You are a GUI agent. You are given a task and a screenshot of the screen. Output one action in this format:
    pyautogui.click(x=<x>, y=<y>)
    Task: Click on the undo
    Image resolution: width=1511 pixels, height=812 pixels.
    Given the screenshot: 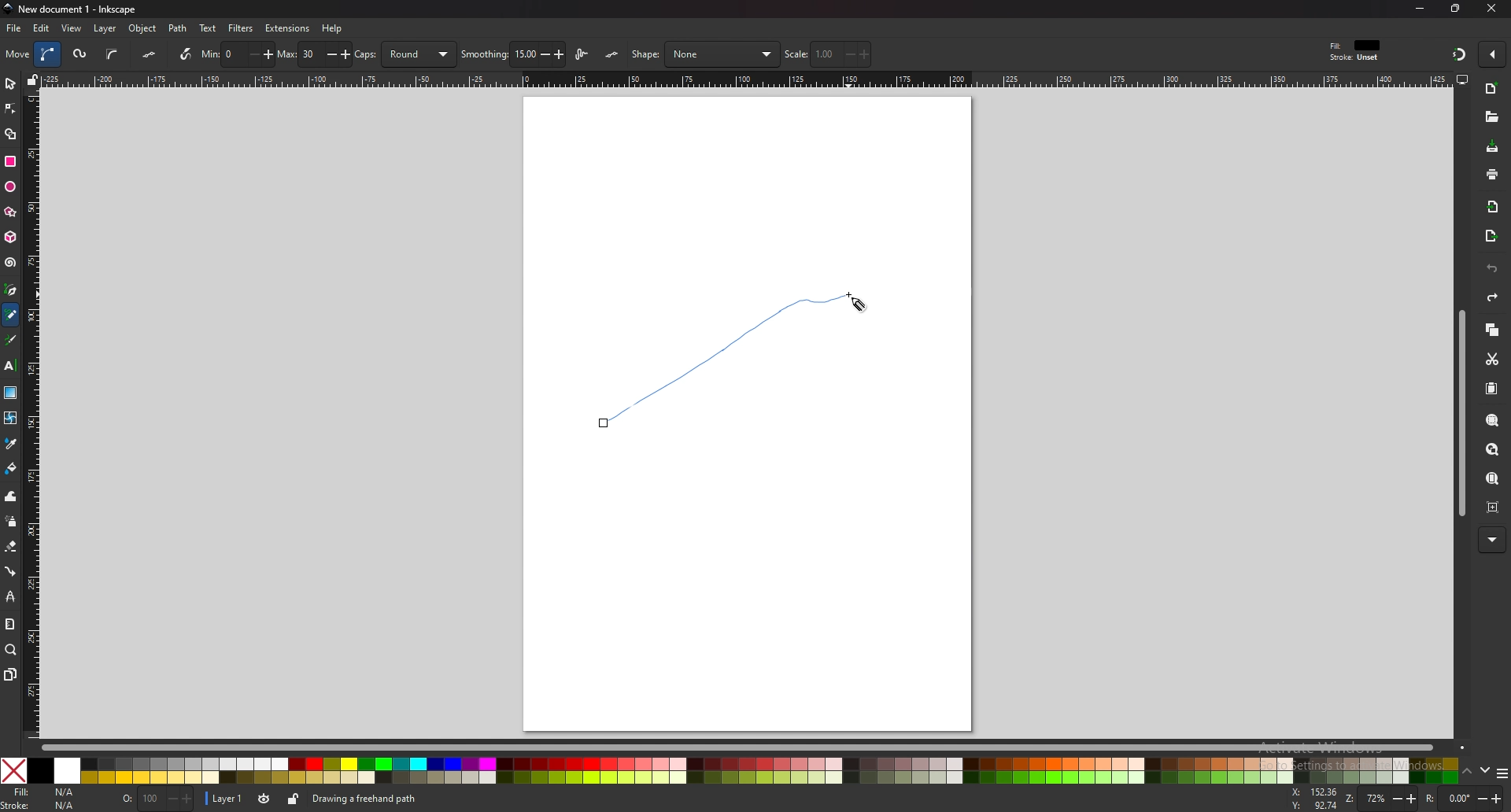 What is the action you would take?
    pyautogui.click(x=1492, y=270)
    